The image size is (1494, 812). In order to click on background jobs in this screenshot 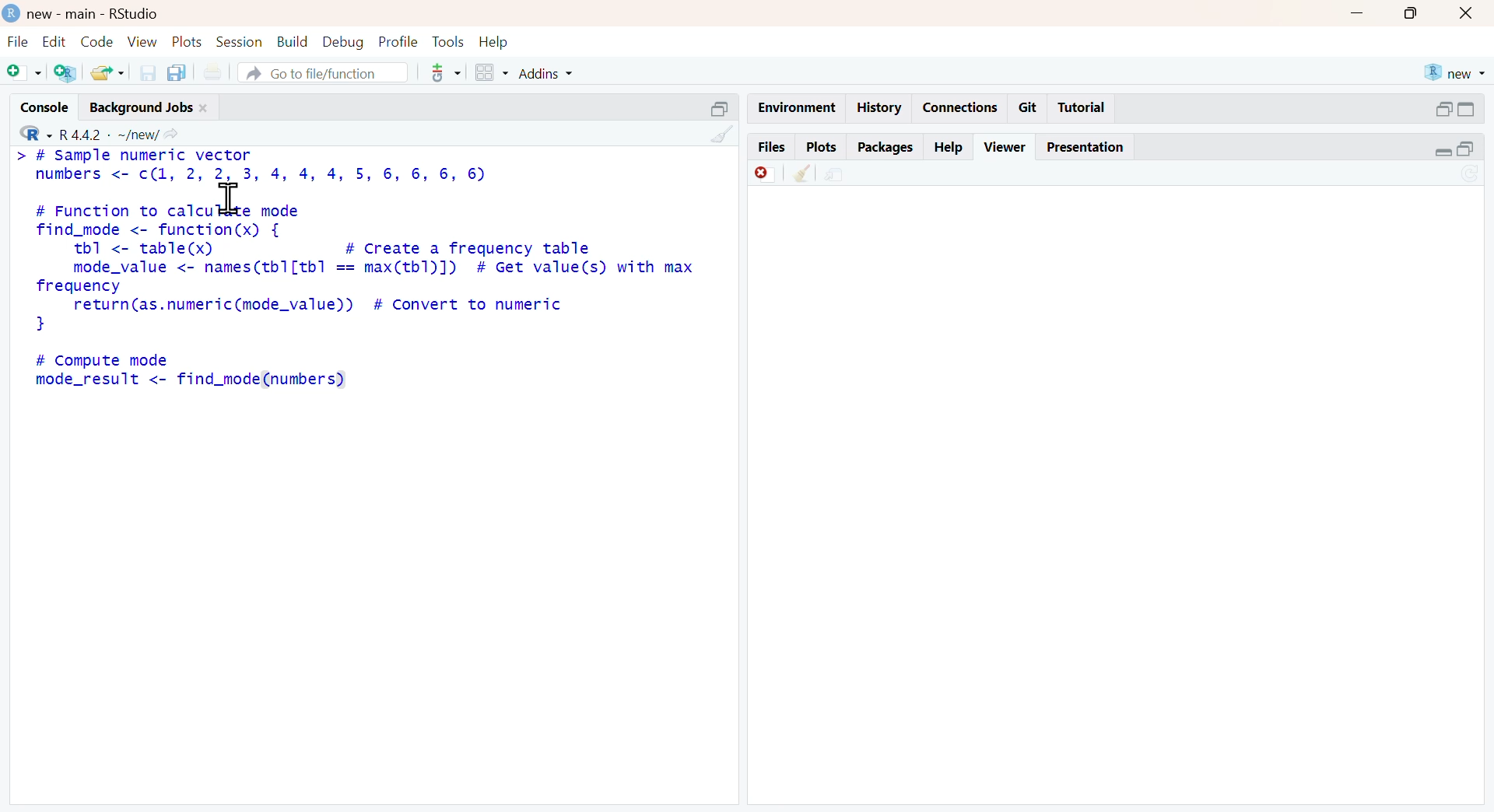, I will do `click(142, 108)`.